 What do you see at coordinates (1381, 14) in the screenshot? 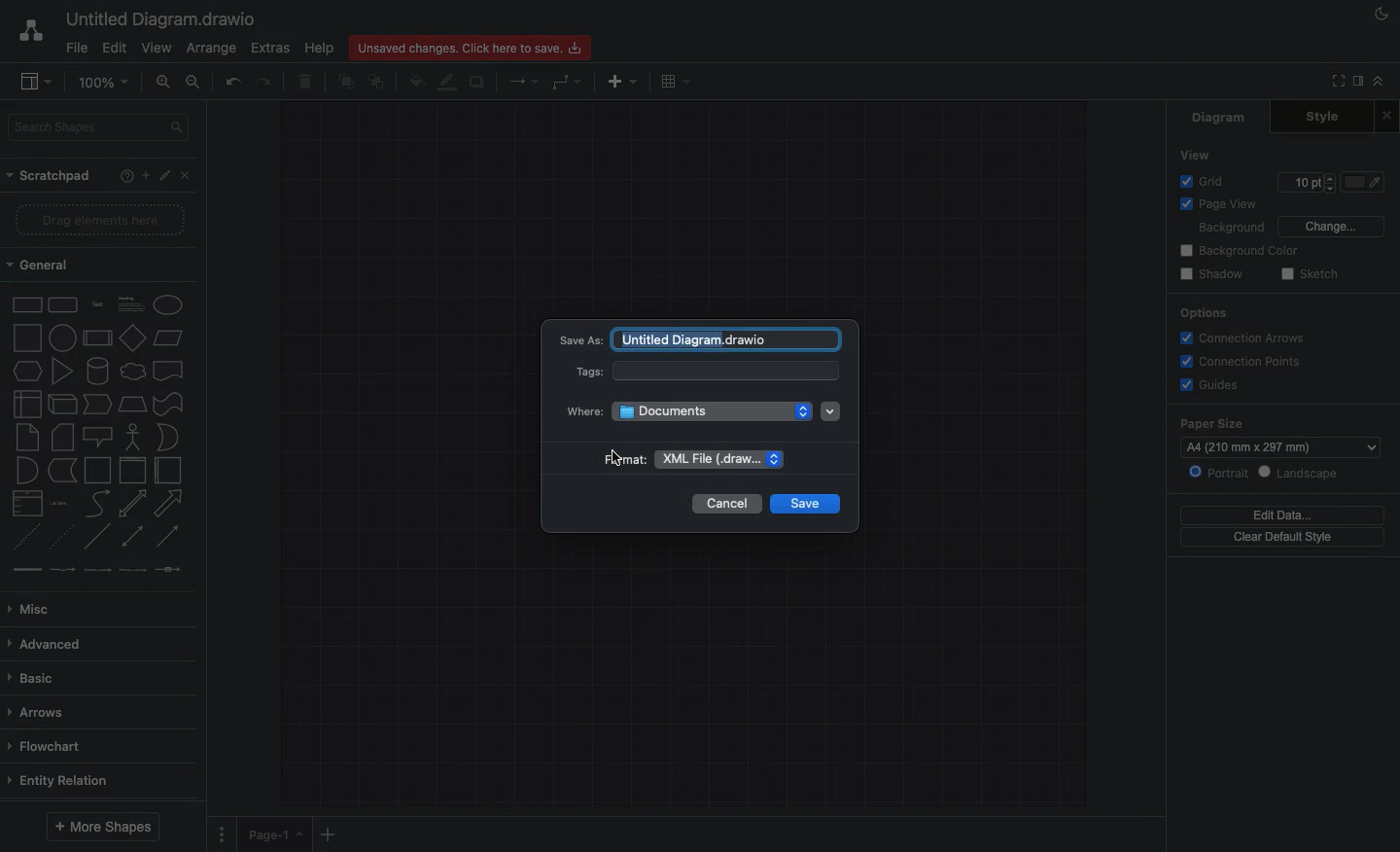
I see `Night mode` at bounding box center [1381, 14].